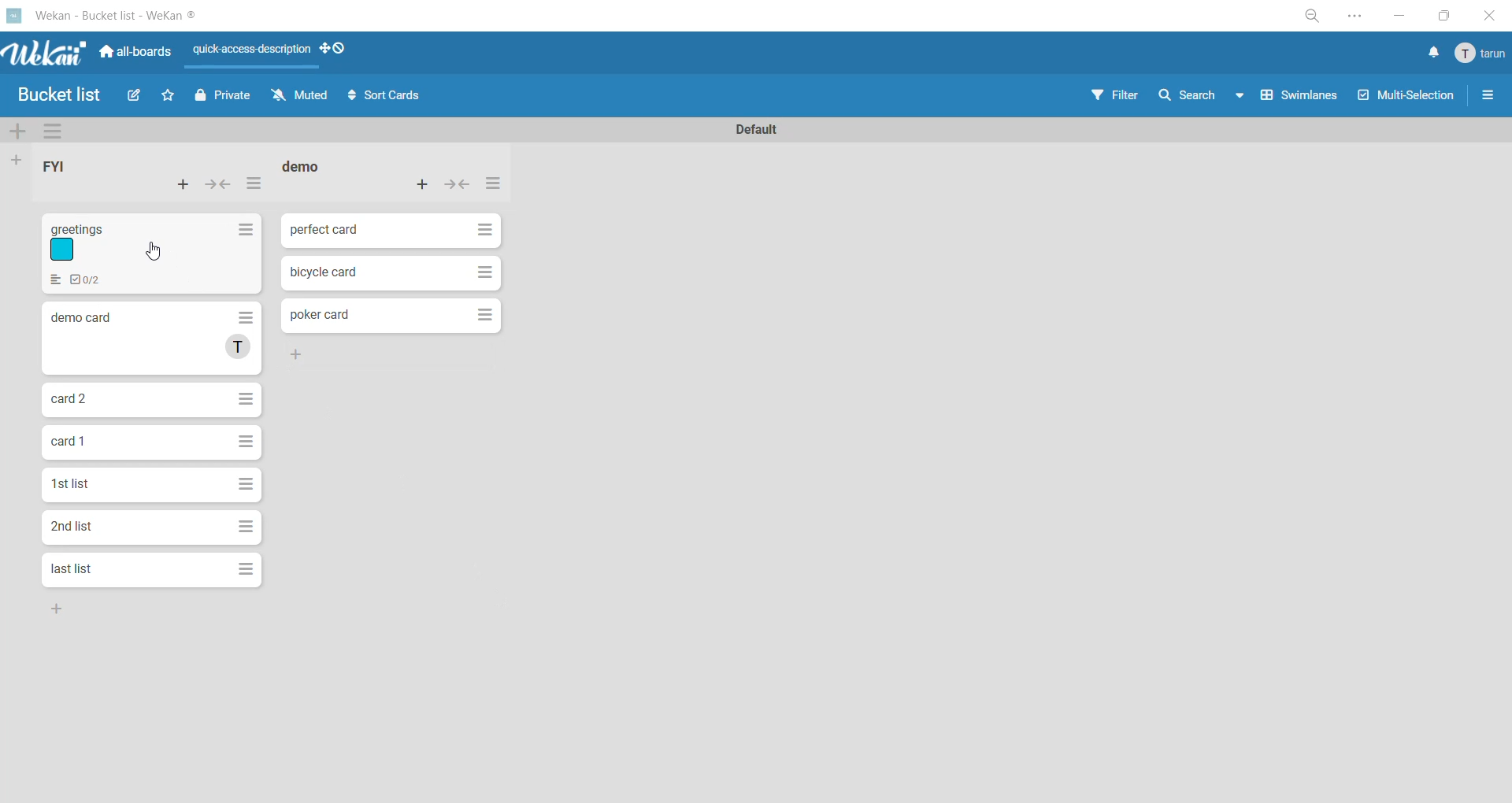 This screenshot has width=1512, height=803. Describe the element at coordinates (1487, 17) in the screenshot. I see `close` at that location.